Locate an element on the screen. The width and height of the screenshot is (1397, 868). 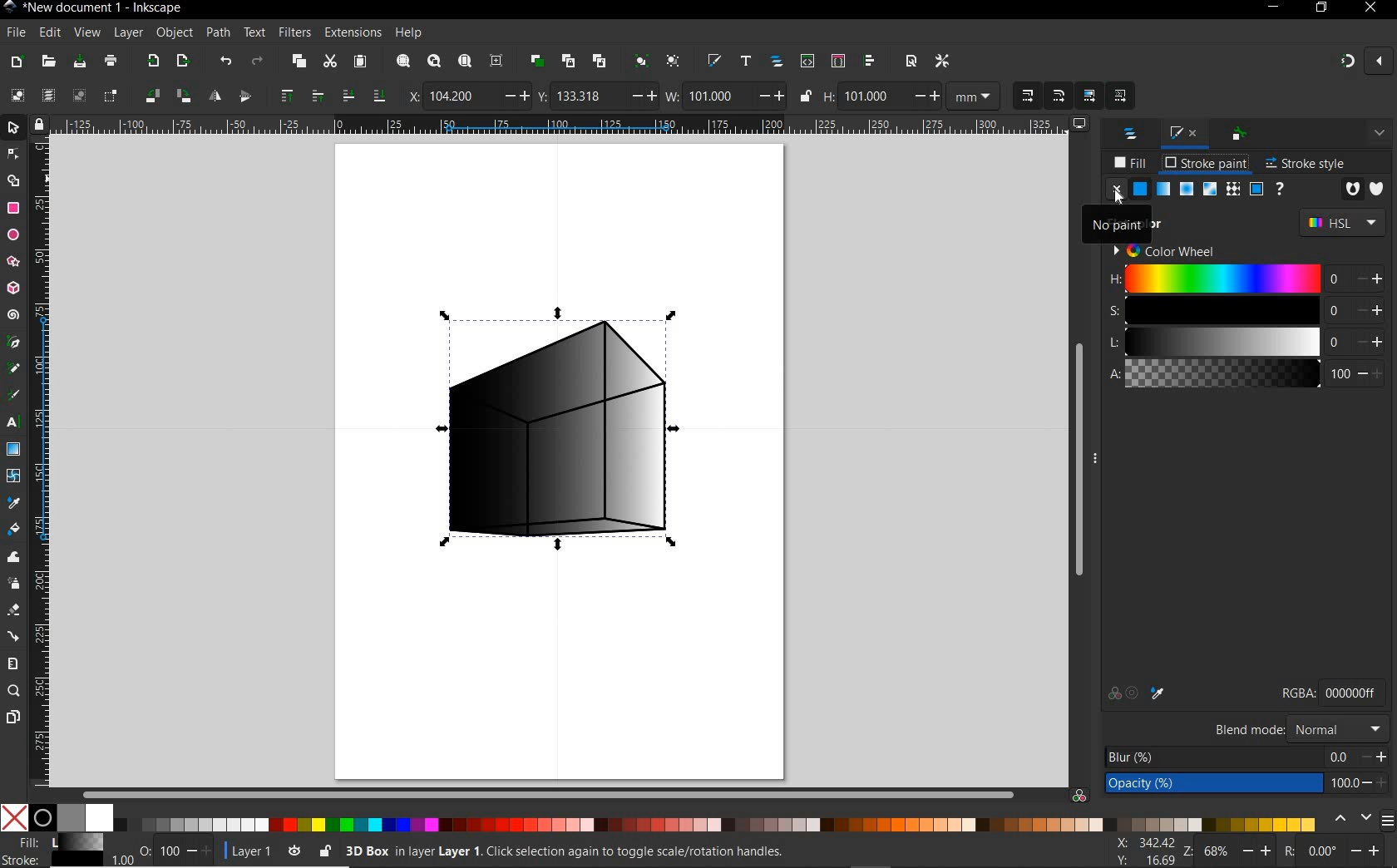
SCROLLBAR is located at coordinates (548, 795).